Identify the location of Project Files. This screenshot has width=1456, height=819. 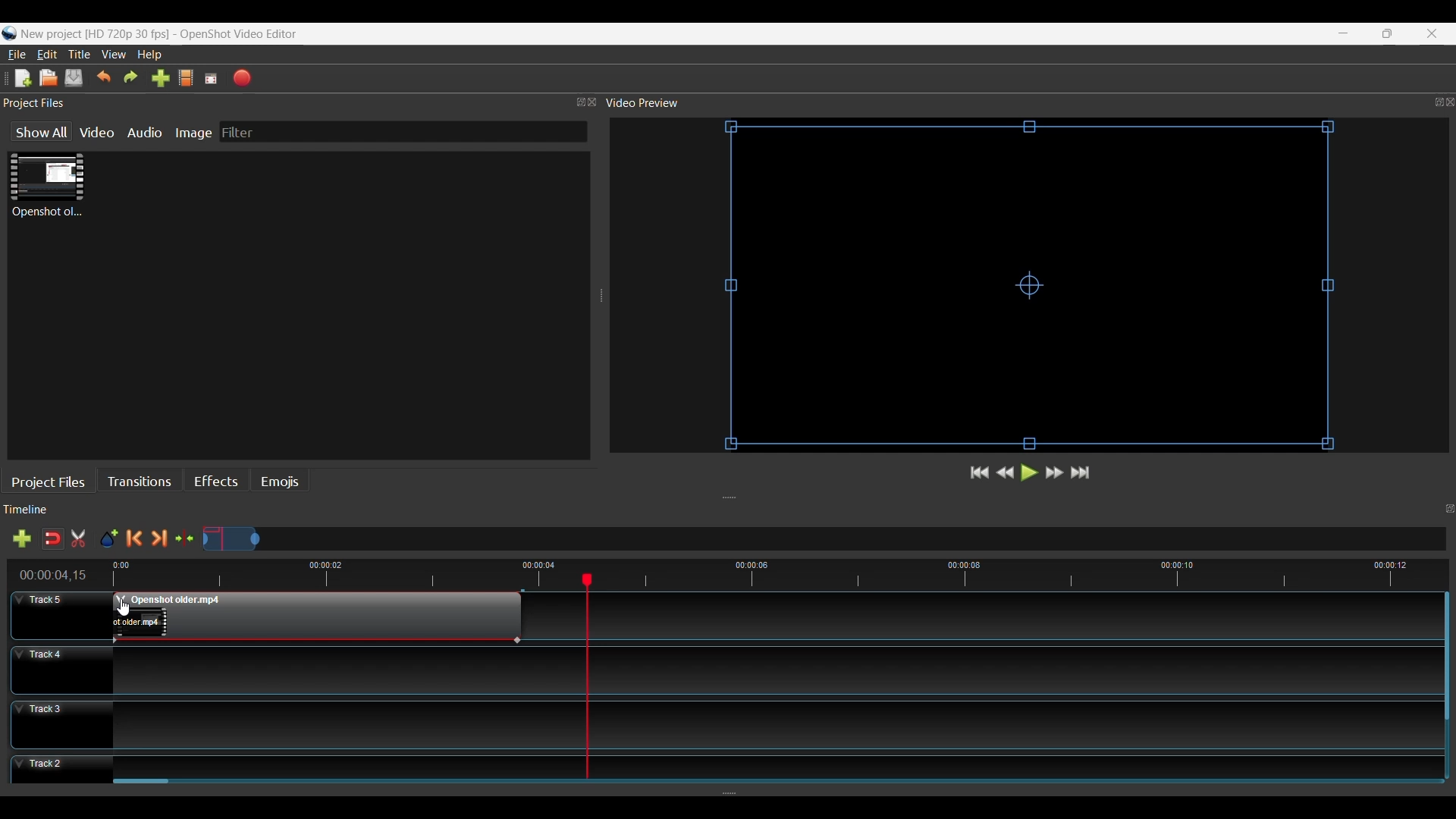
(52, 481).